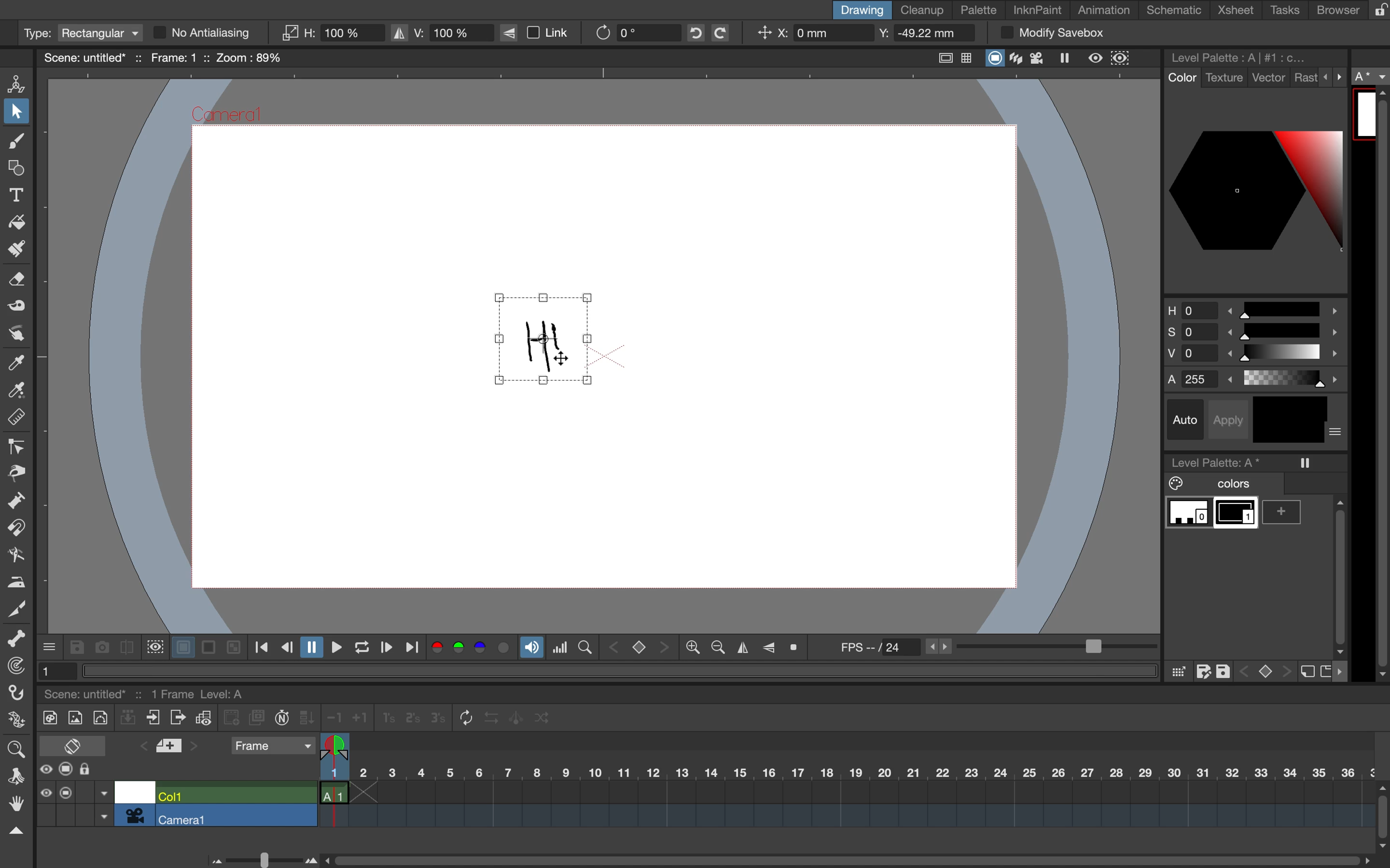 Image resolution: width=1390 pixels, height=868 pixels. I want to click on compare to snapshot, so click(126, 650).